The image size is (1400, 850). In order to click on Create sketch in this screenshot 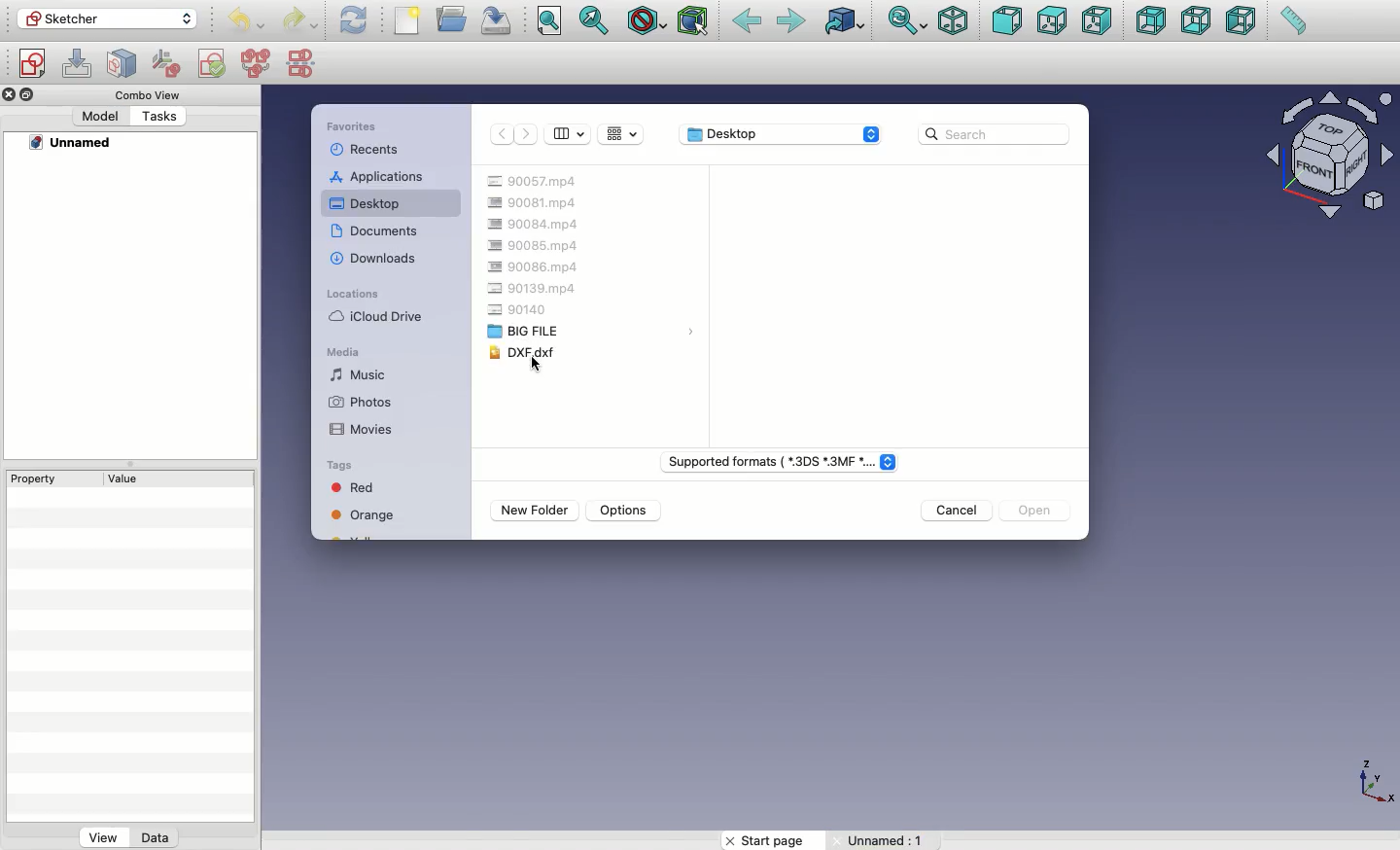, I will do `click(32, 64)`.